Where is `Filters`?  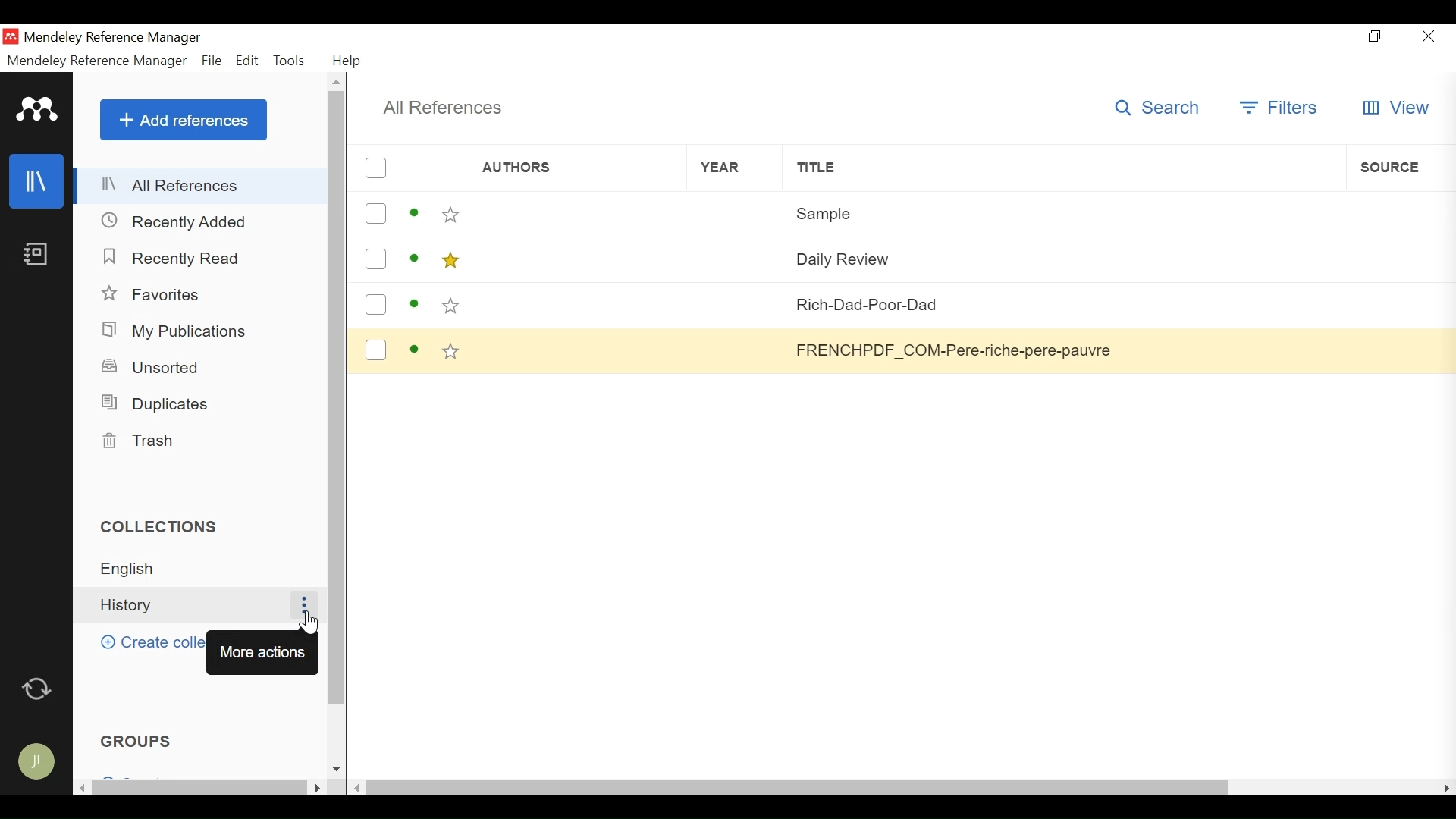 Filters is located at coordinates (1281, 108).